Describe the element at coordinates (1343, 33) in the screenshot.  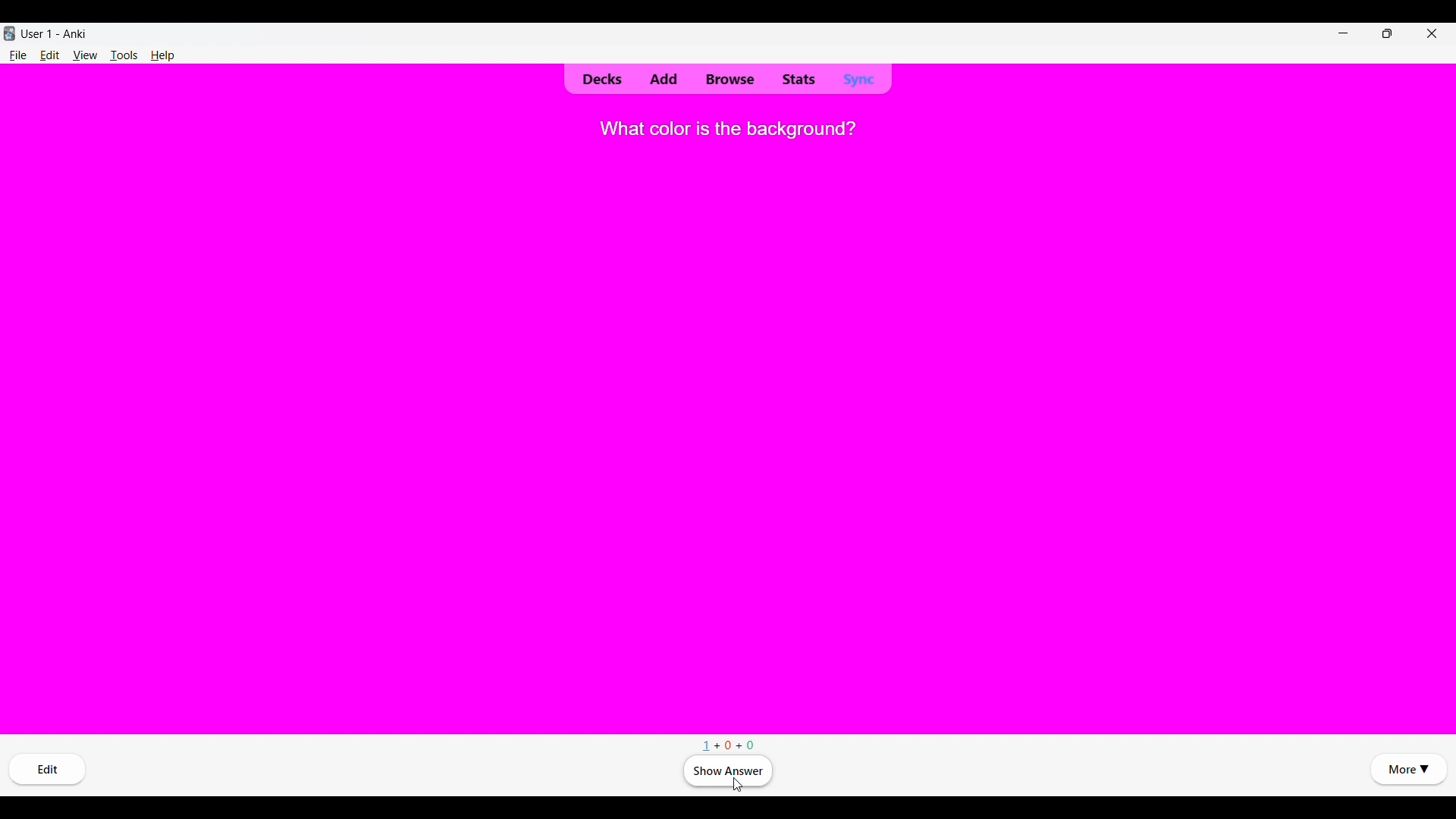
I see `Minimize` at that location.